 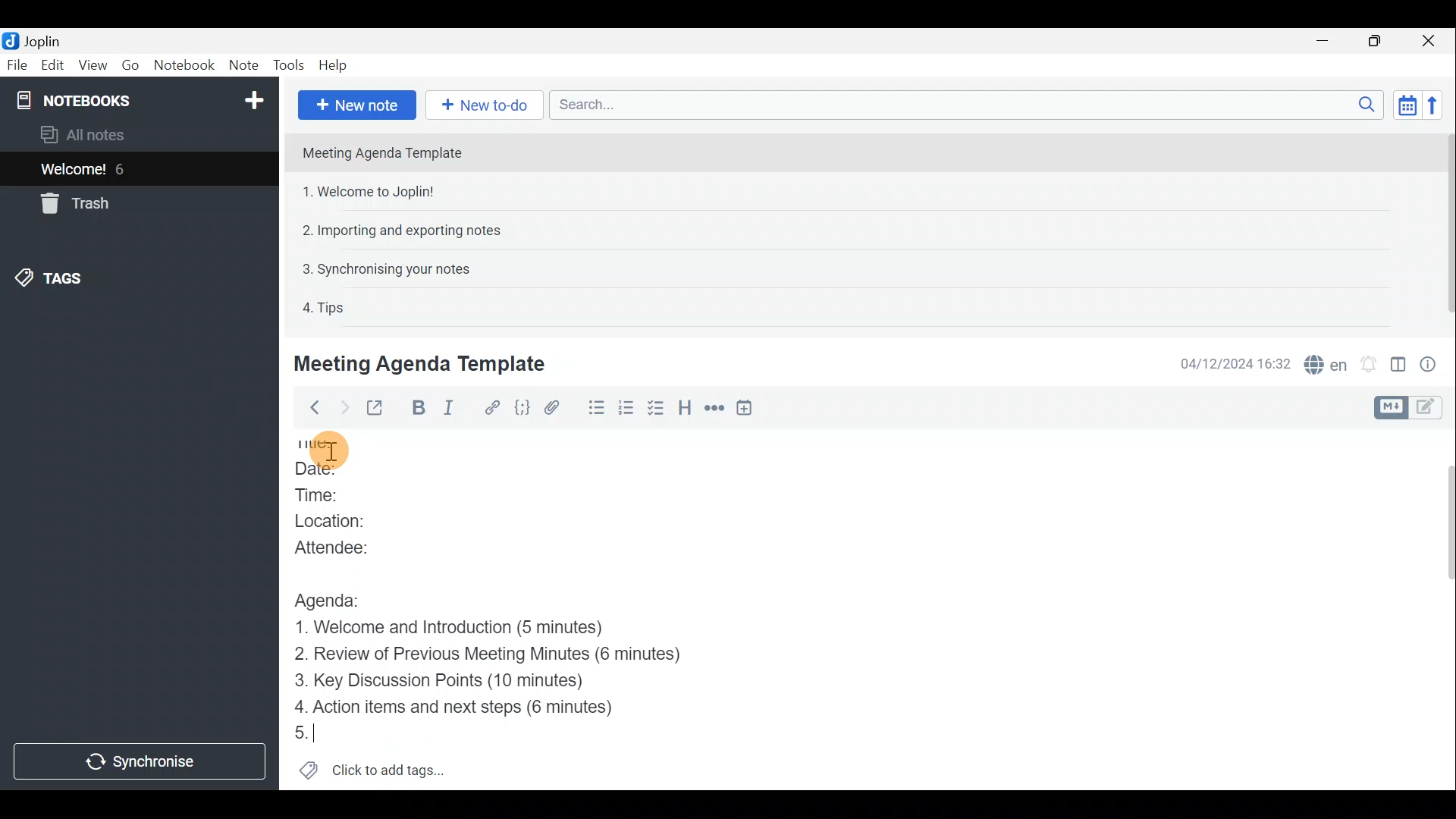 I want to click on Close, so click(x=1429, y=42).